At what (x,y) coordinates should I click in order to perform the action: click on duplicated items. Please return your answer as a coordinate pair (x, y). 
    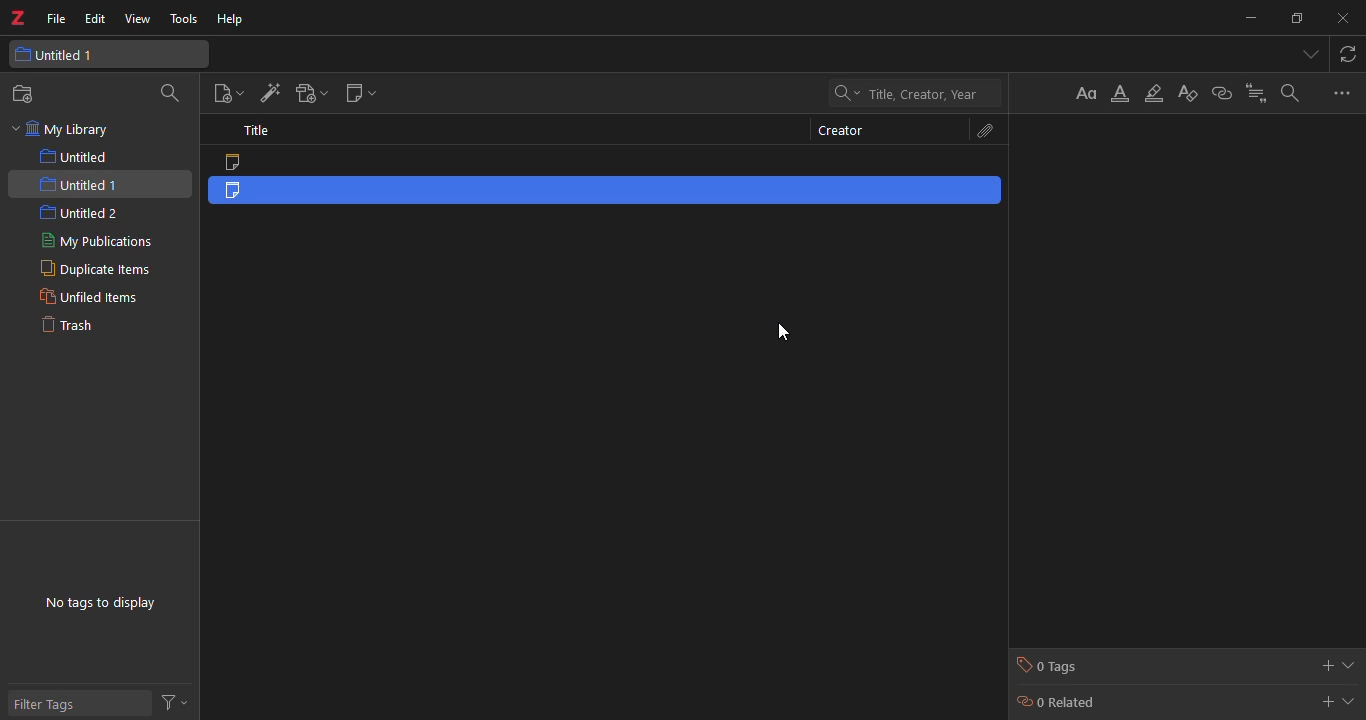
    Looking at the image, I should click on (92, 269).